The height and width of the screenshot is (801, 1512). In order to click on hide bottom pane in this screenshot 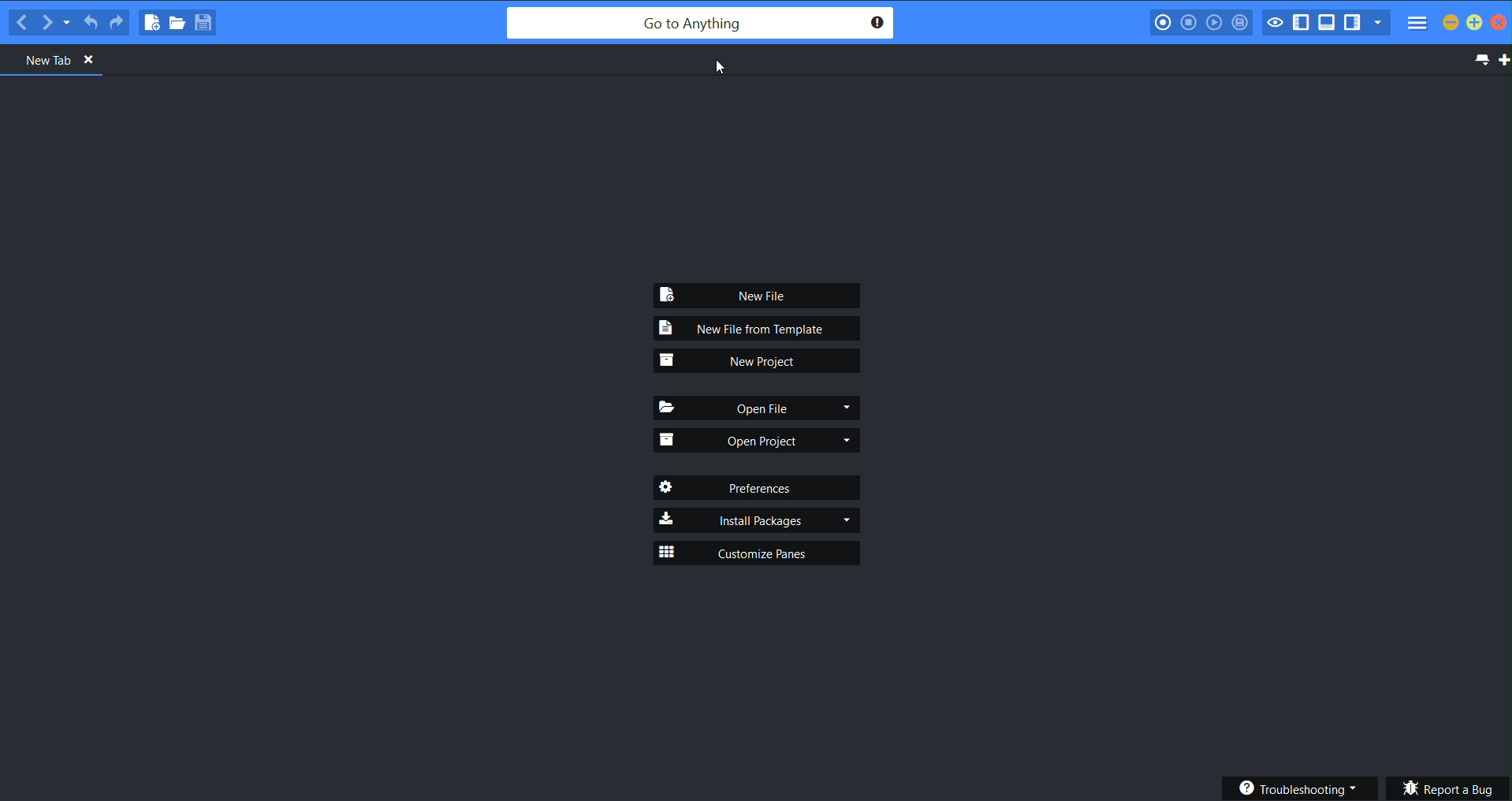, I will do `click(1328, 23)`.